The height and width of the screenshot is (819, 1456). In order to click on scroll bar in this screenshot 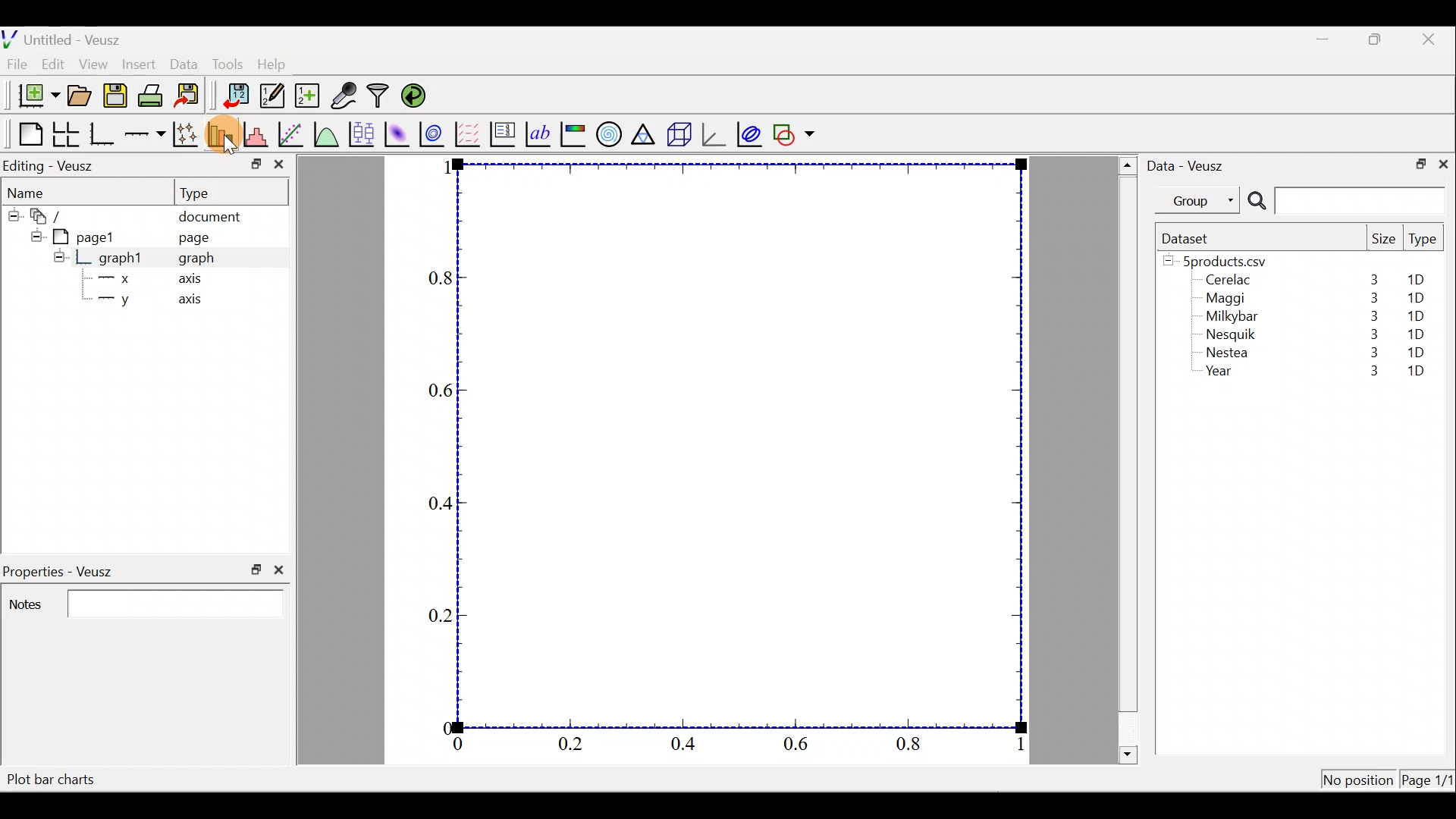, I will do `click(1128, 457)`.